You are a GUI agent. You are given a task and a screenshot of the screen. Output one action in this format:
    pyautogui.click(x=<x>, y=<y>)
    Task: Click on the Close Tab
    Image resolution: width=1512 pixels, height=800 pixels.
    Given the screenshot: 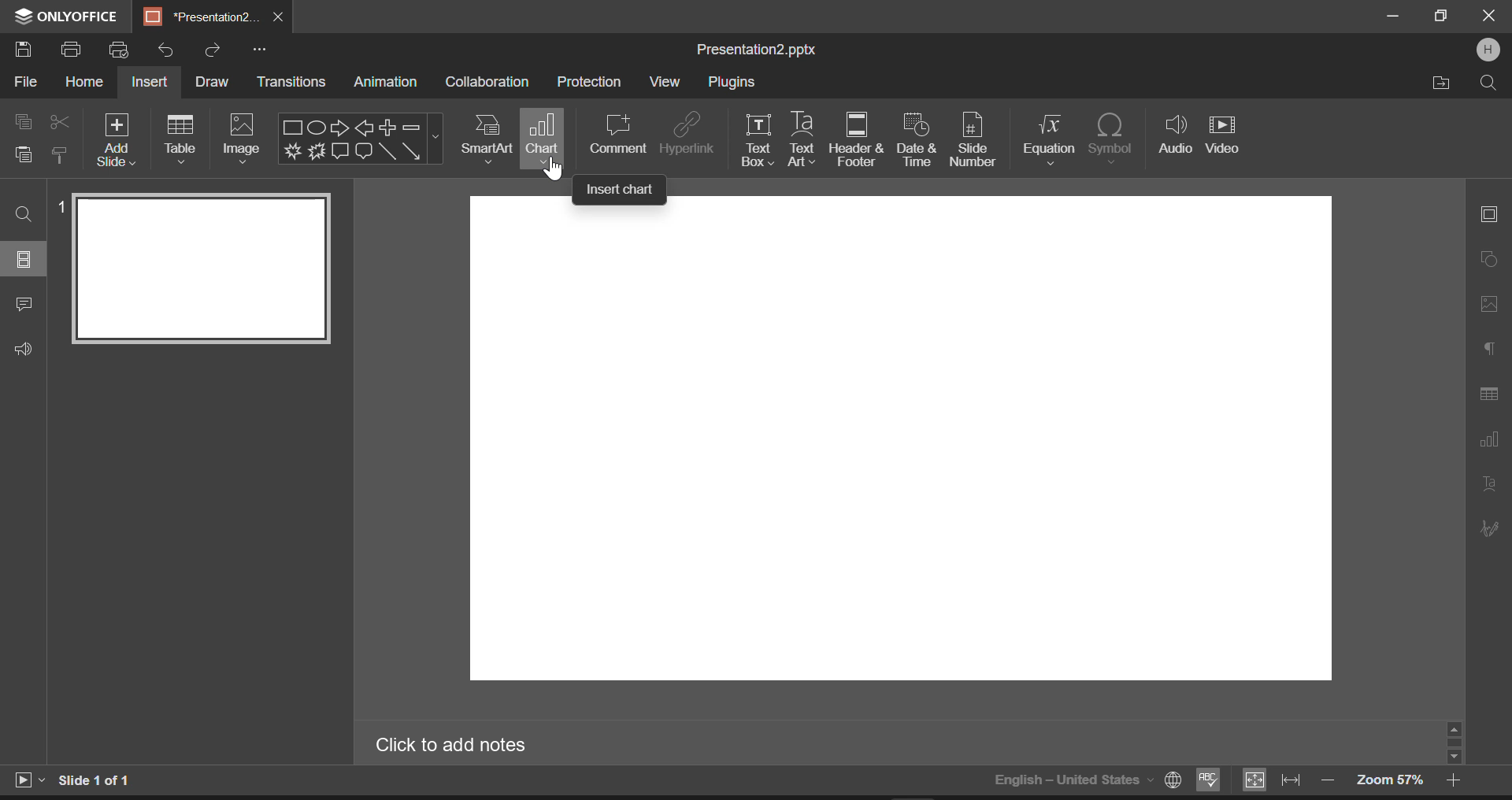 What is the action you would take?
    pyautogui.click(x=280, y=17)
    